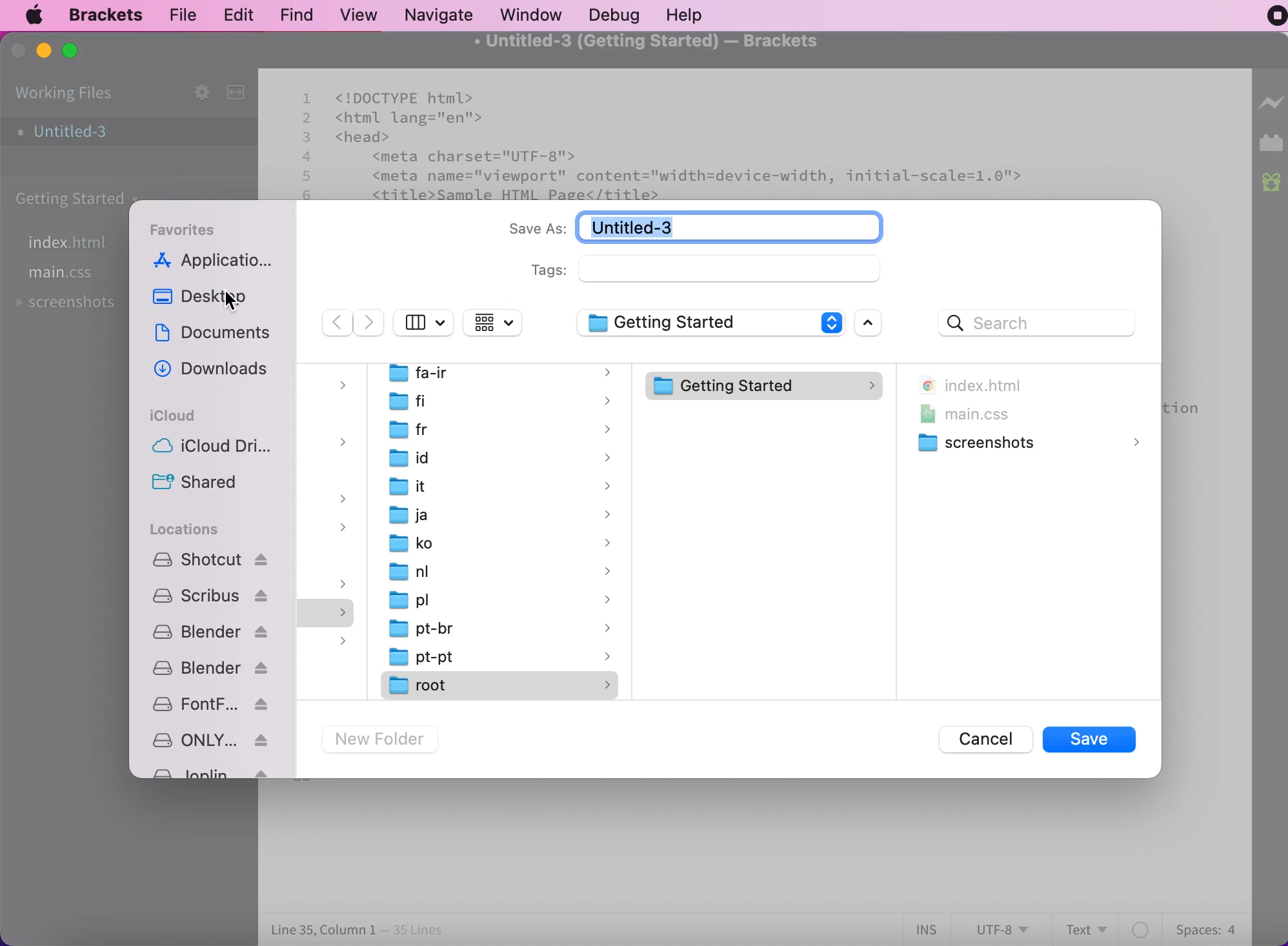 This screenshot has width=1288, height=946. What do you see at coordinates (502, 570) in the screenshot?
I see `nl` at bounding box center [502, 570].